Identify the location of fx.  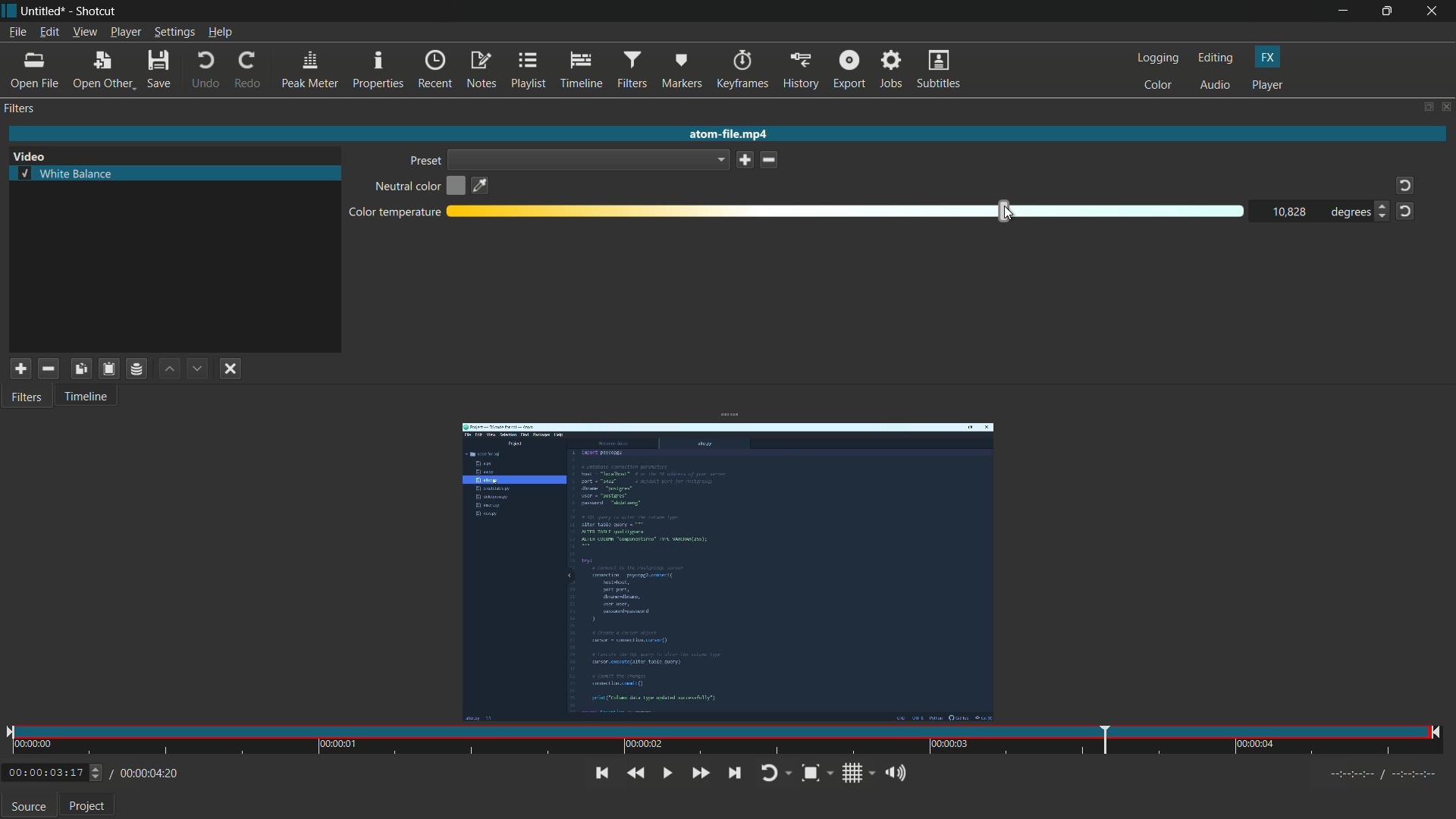
(1267, 58).